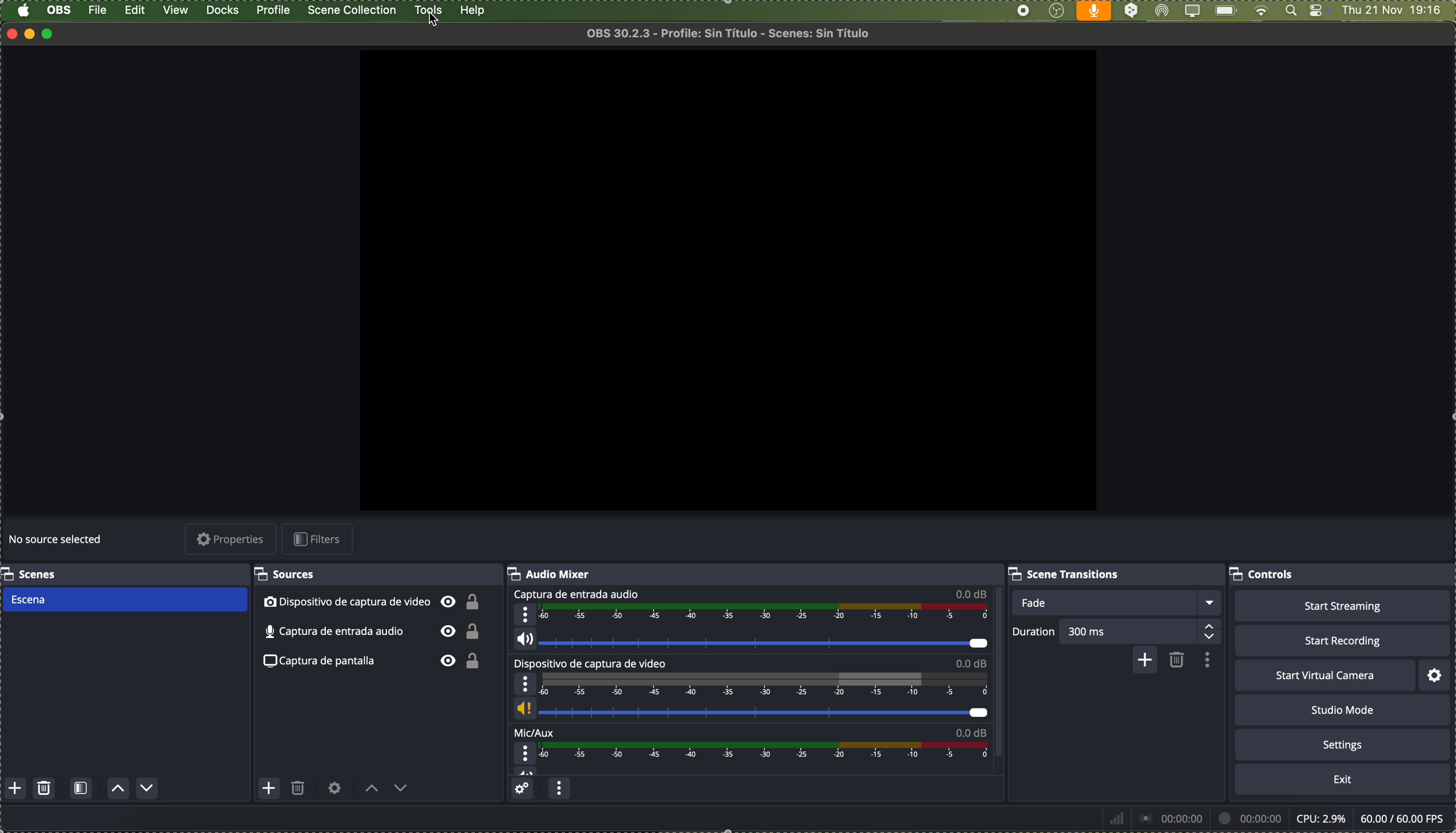  Describe the element at coordinates (1264, 576) in the screenshot. I see `controls` at that location.